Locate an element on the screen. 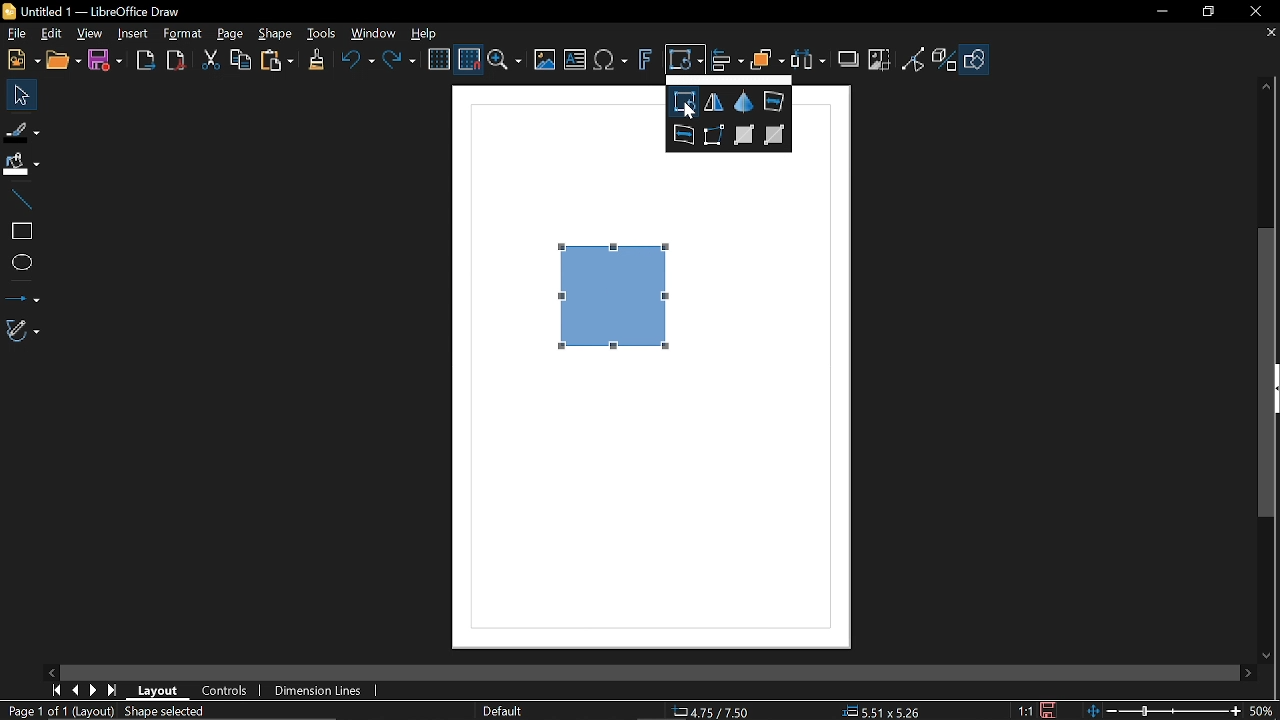  Undo is located at coordinates (354, 62).